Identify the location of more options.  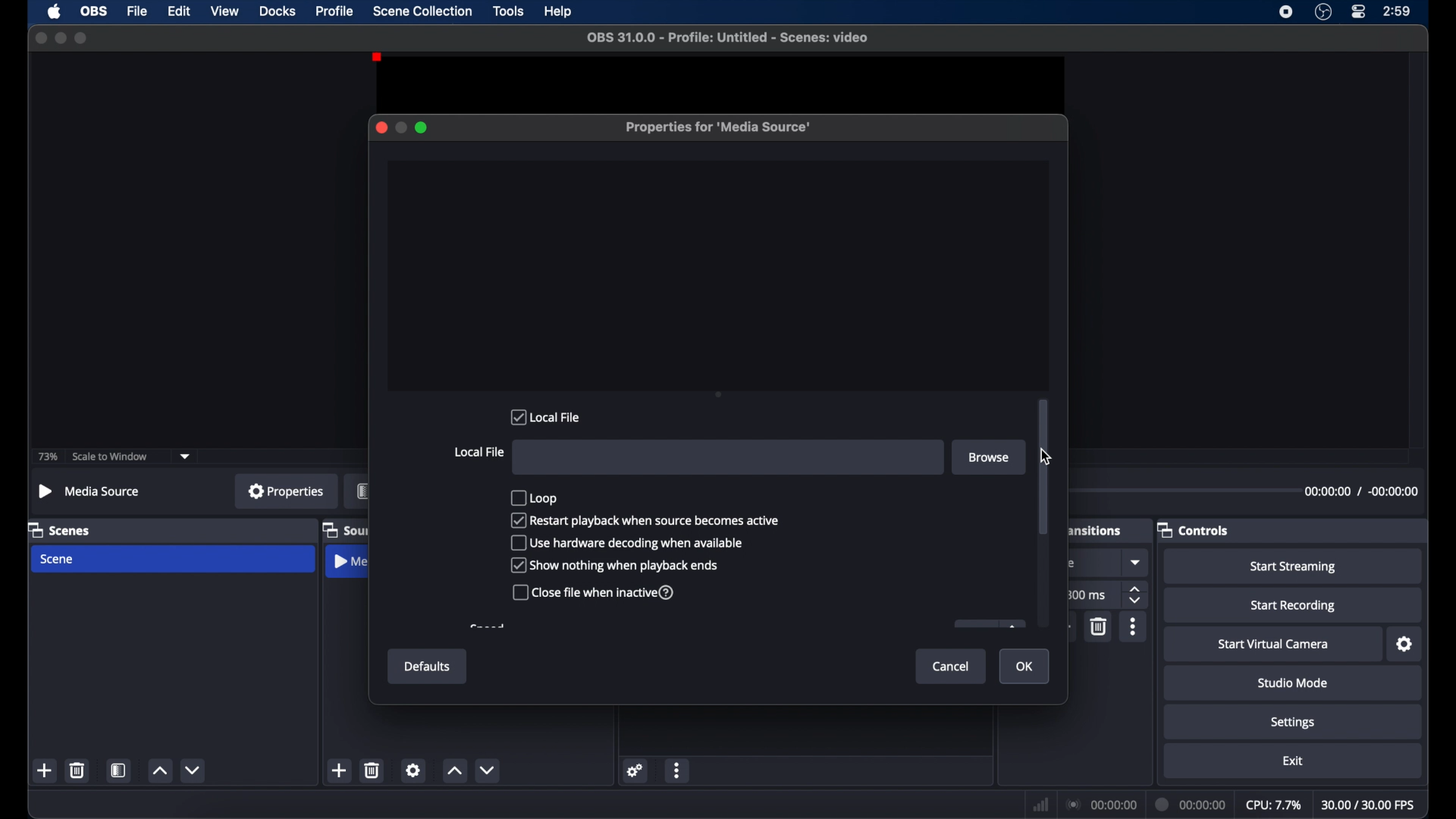
(1134, 627).